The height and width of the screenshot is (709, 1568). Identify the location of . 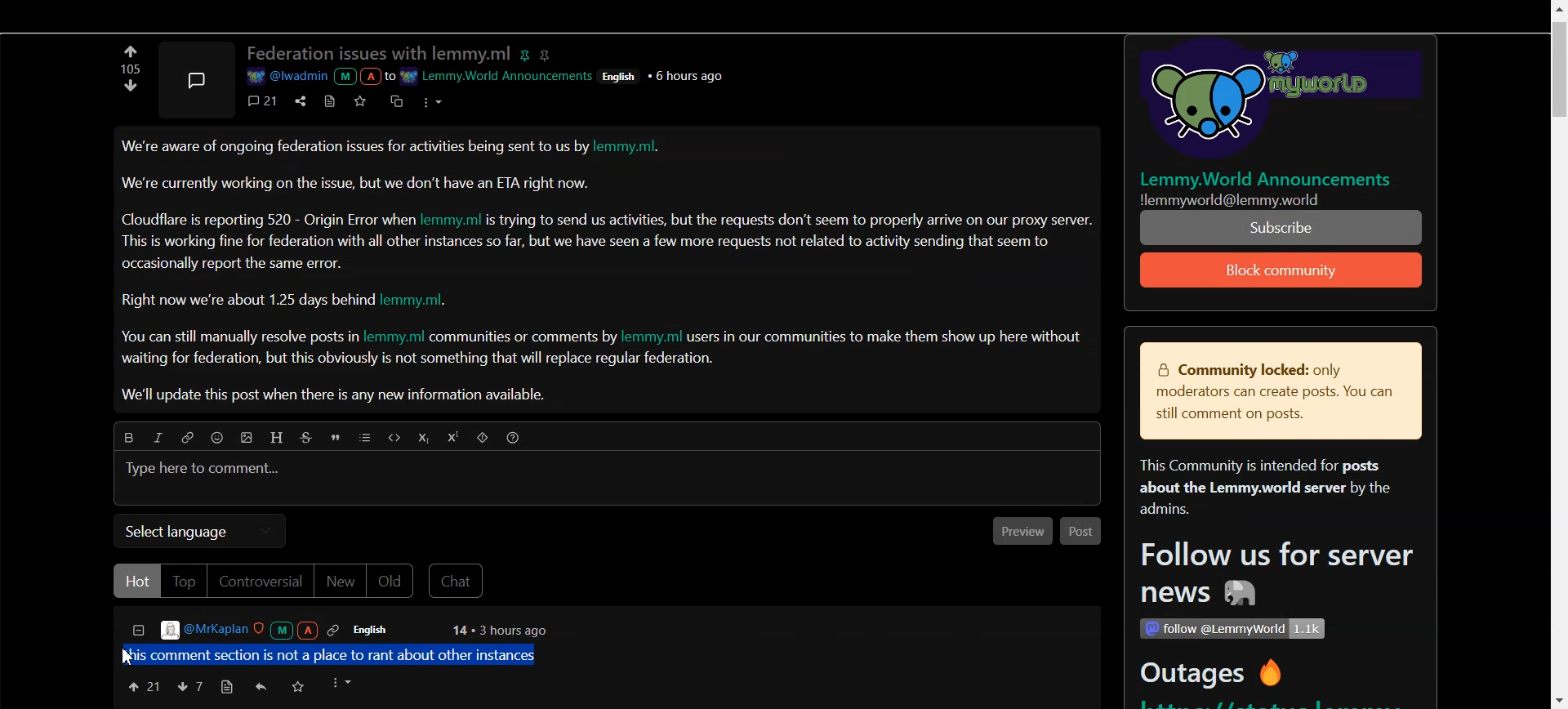
(622, 75).